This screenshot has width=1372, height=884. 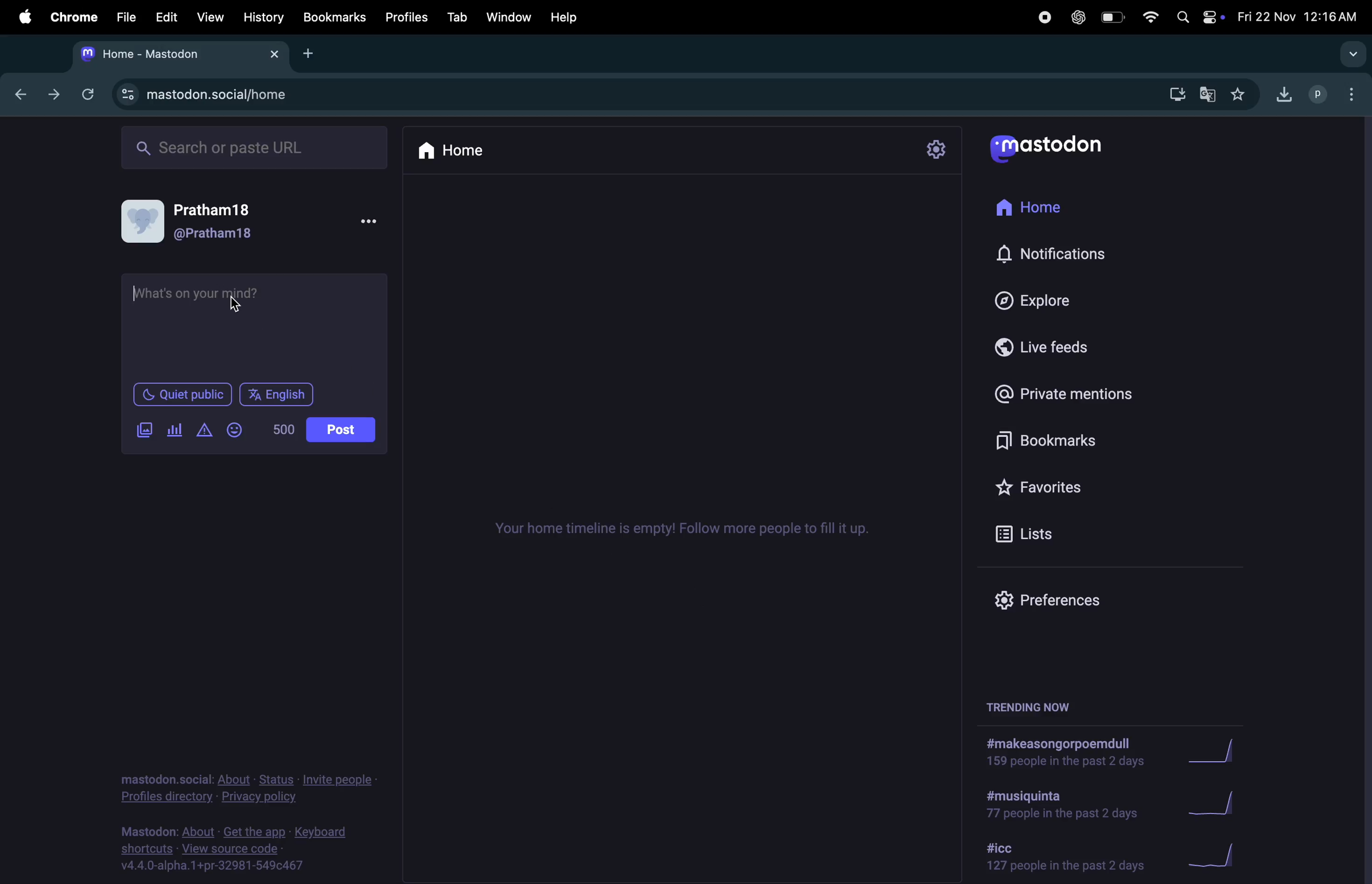 I want to click on profile, so click(x=1315, y=95).